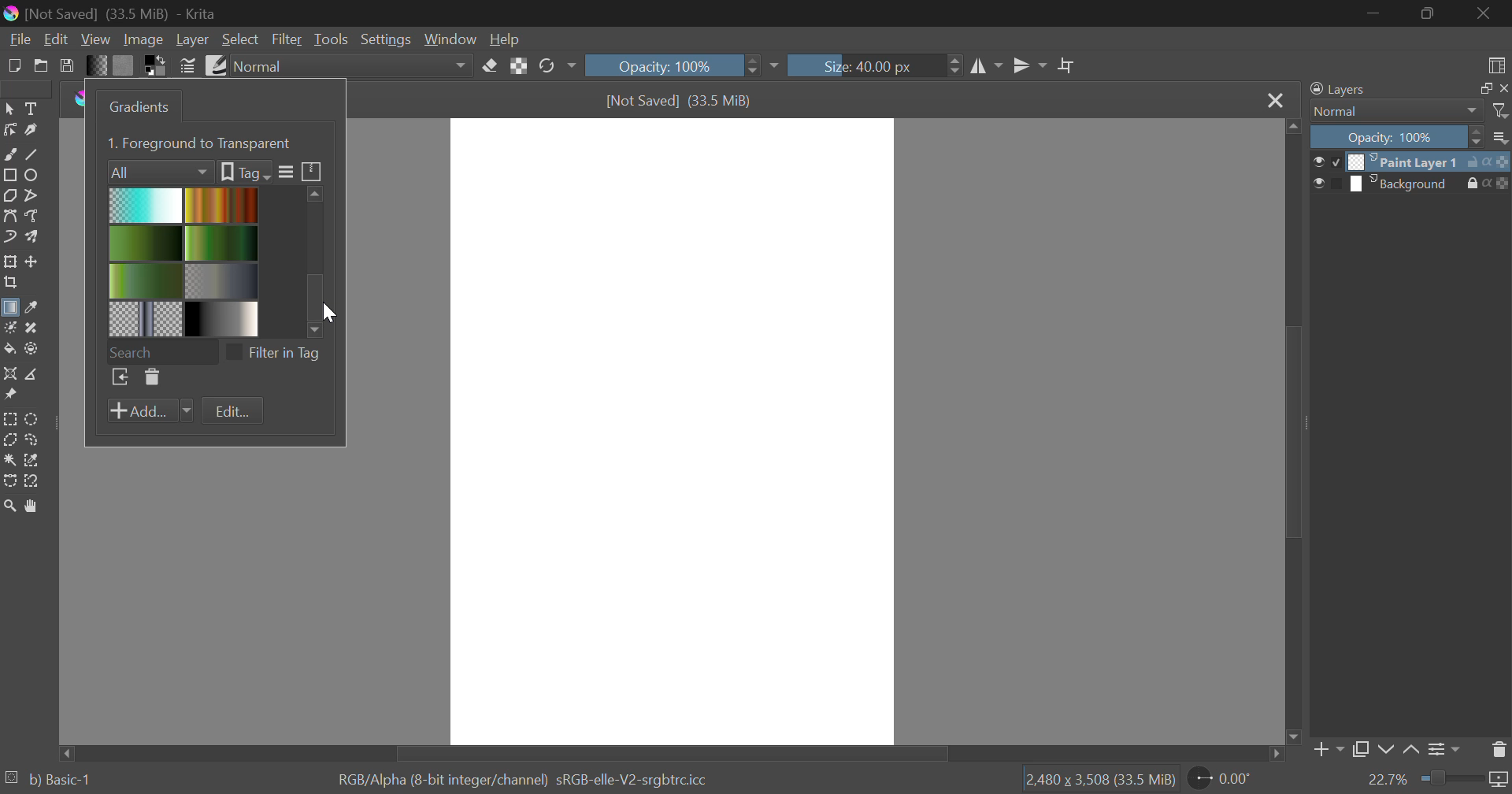 The image size is (1512, 794). I want to click on Gradient 1, so click(146, 205).